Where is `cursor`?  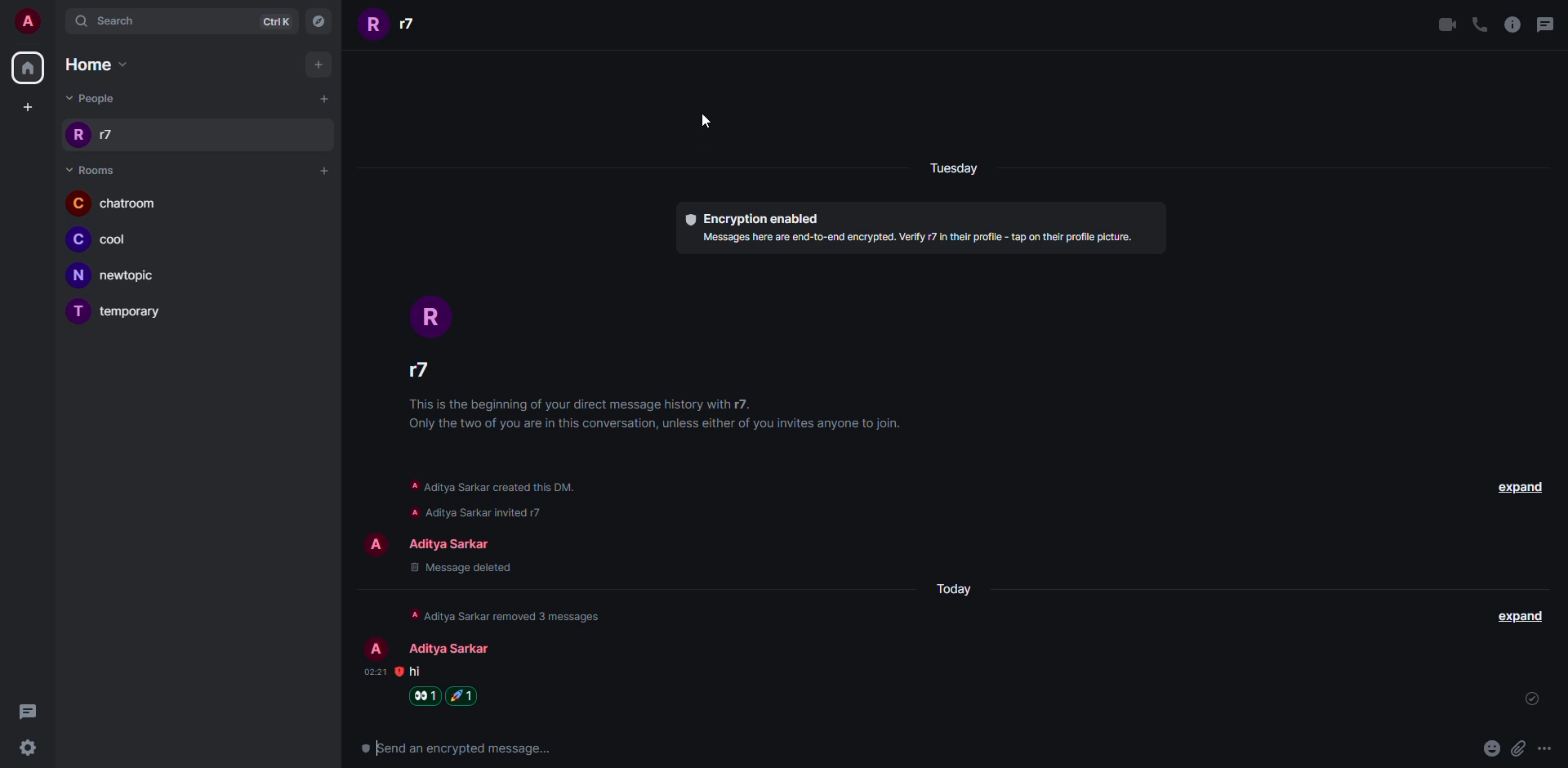 cursor is located at coordinates (707, 122).